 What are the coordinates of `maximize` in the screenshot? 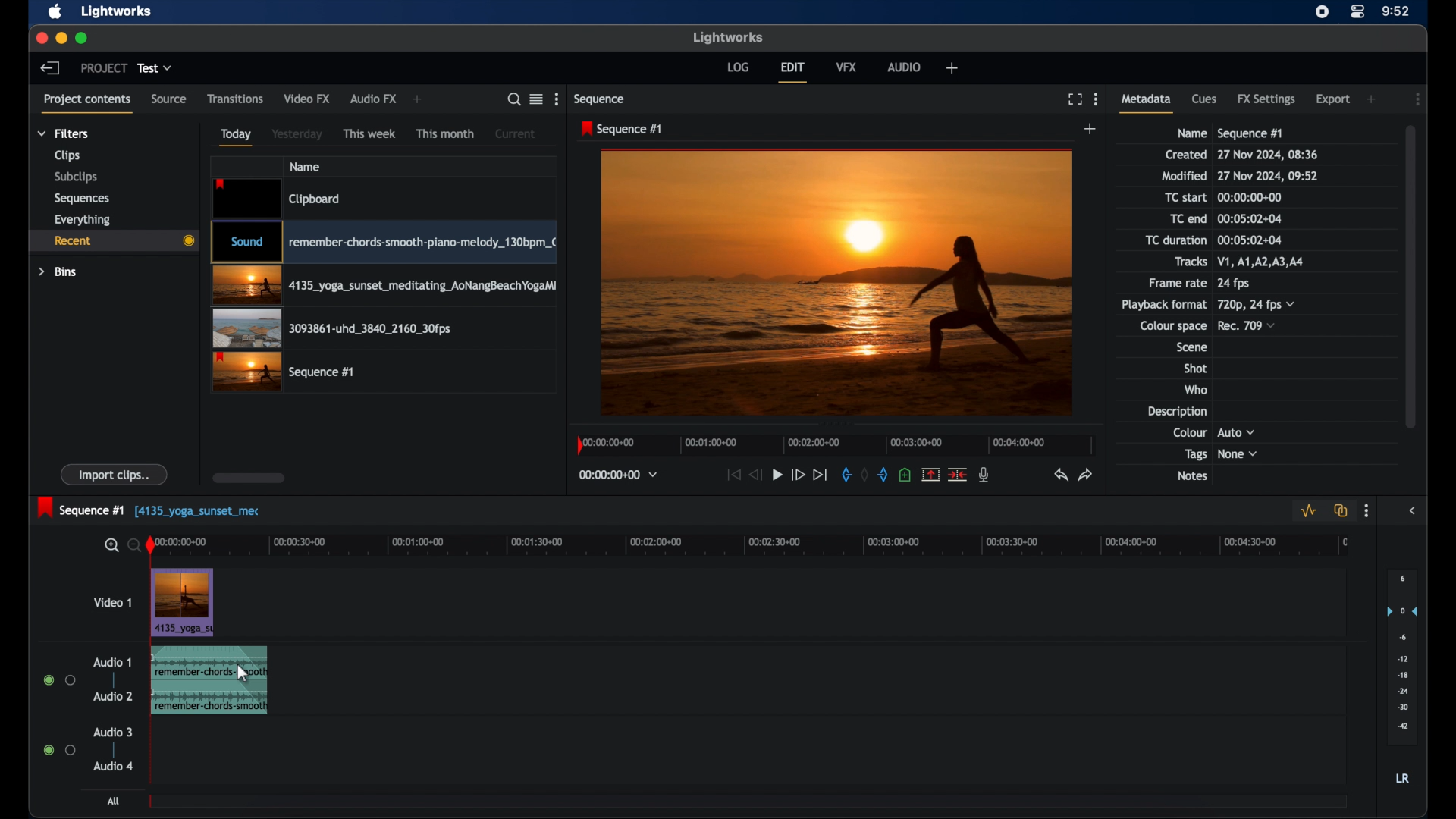 It's located at (83, 38).